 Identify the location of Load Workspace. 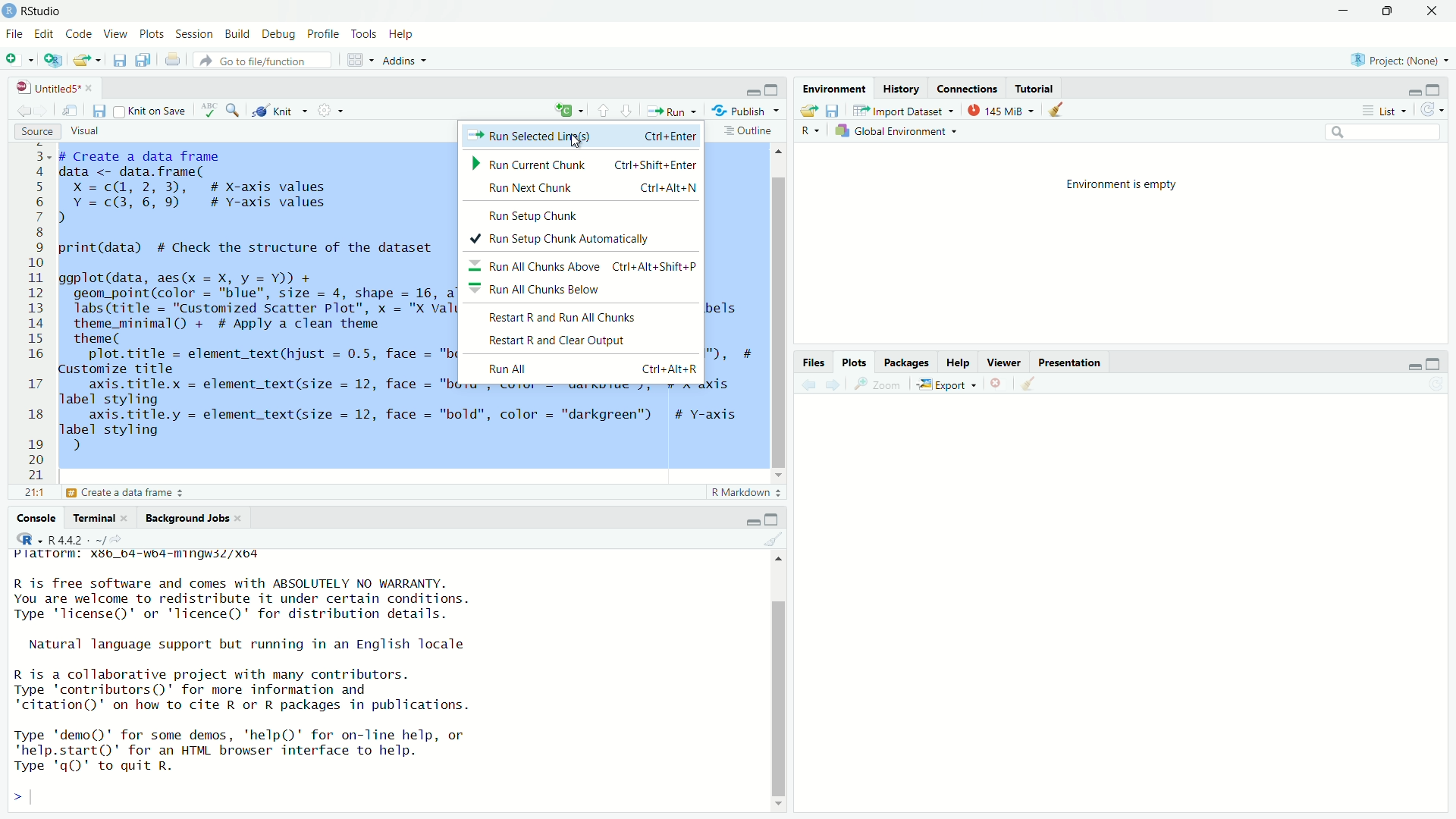
(810, 111).